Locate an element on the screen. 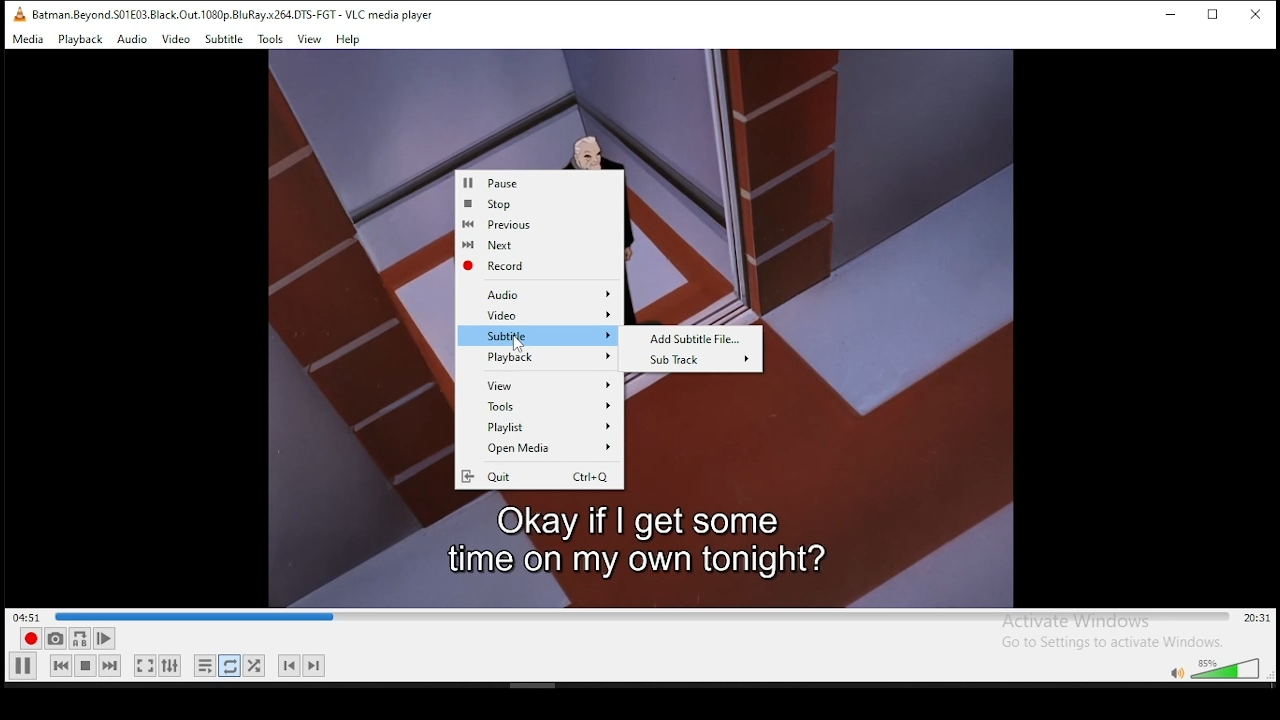 This screenshot has width=1280, height=720. Subtitle is located at coordinates (224, 40).